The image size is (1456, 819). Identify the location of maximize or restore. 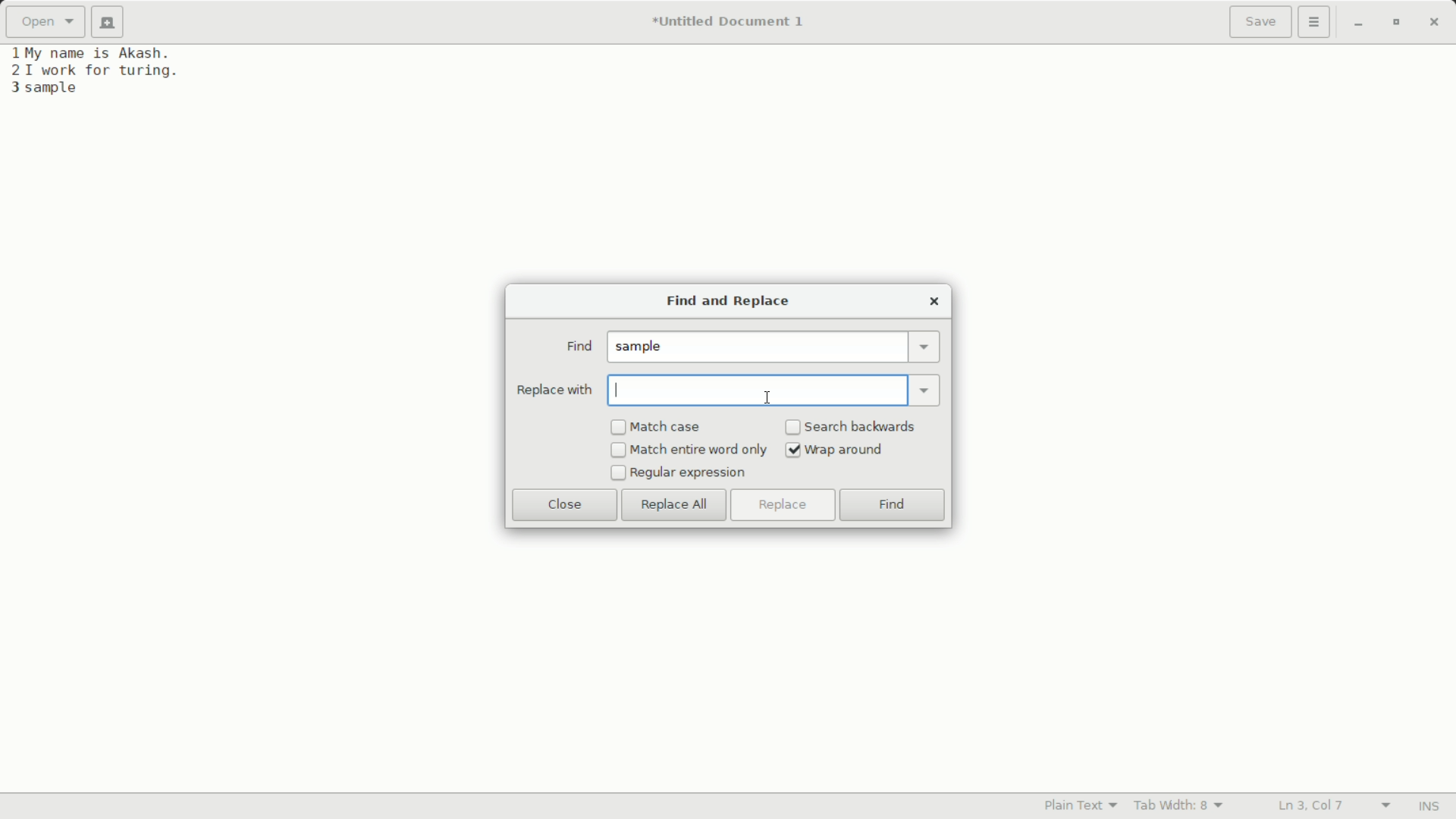
(1395, 23).